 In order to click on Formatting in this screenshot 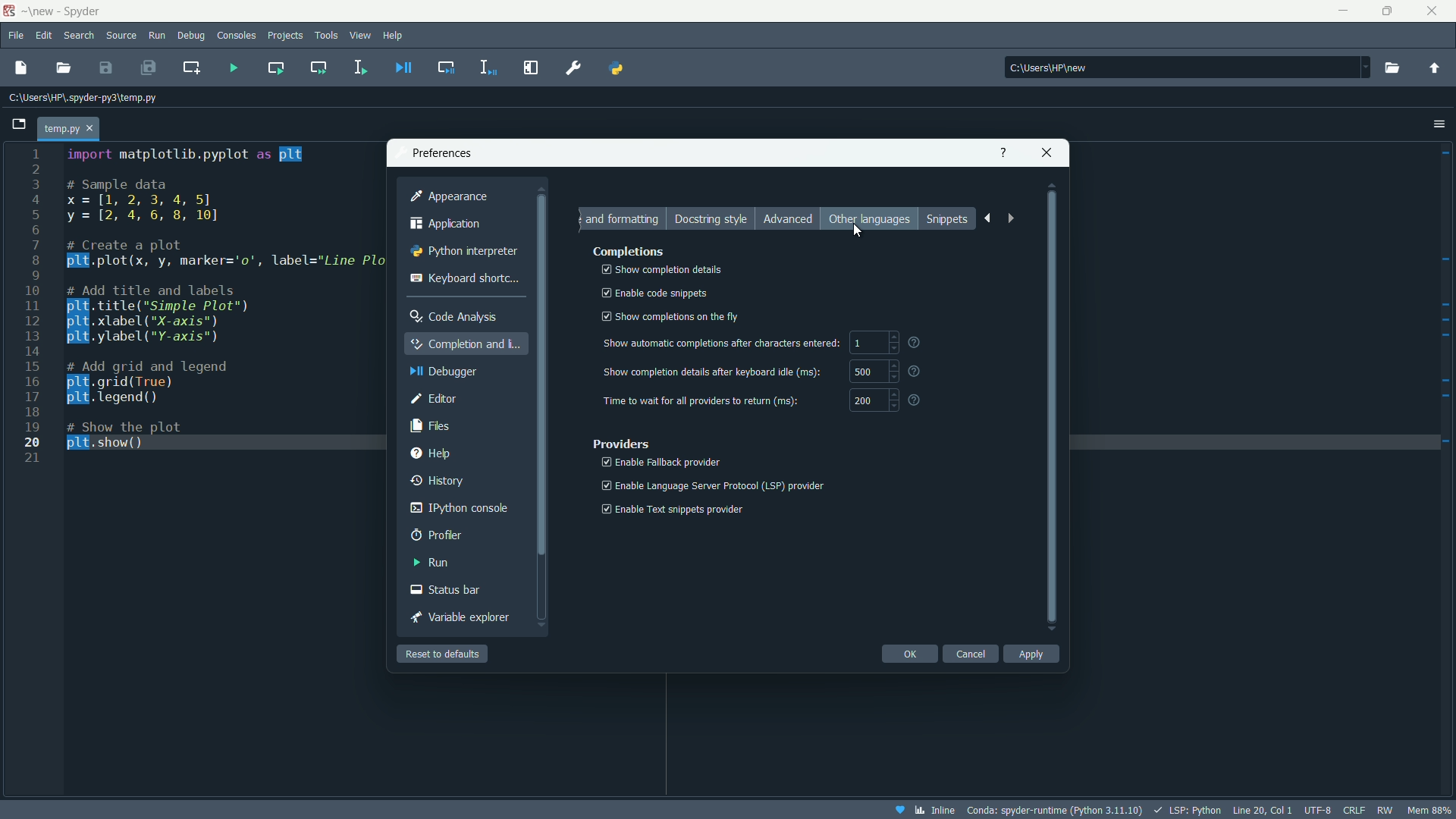, I will do `click(625, 218)`.